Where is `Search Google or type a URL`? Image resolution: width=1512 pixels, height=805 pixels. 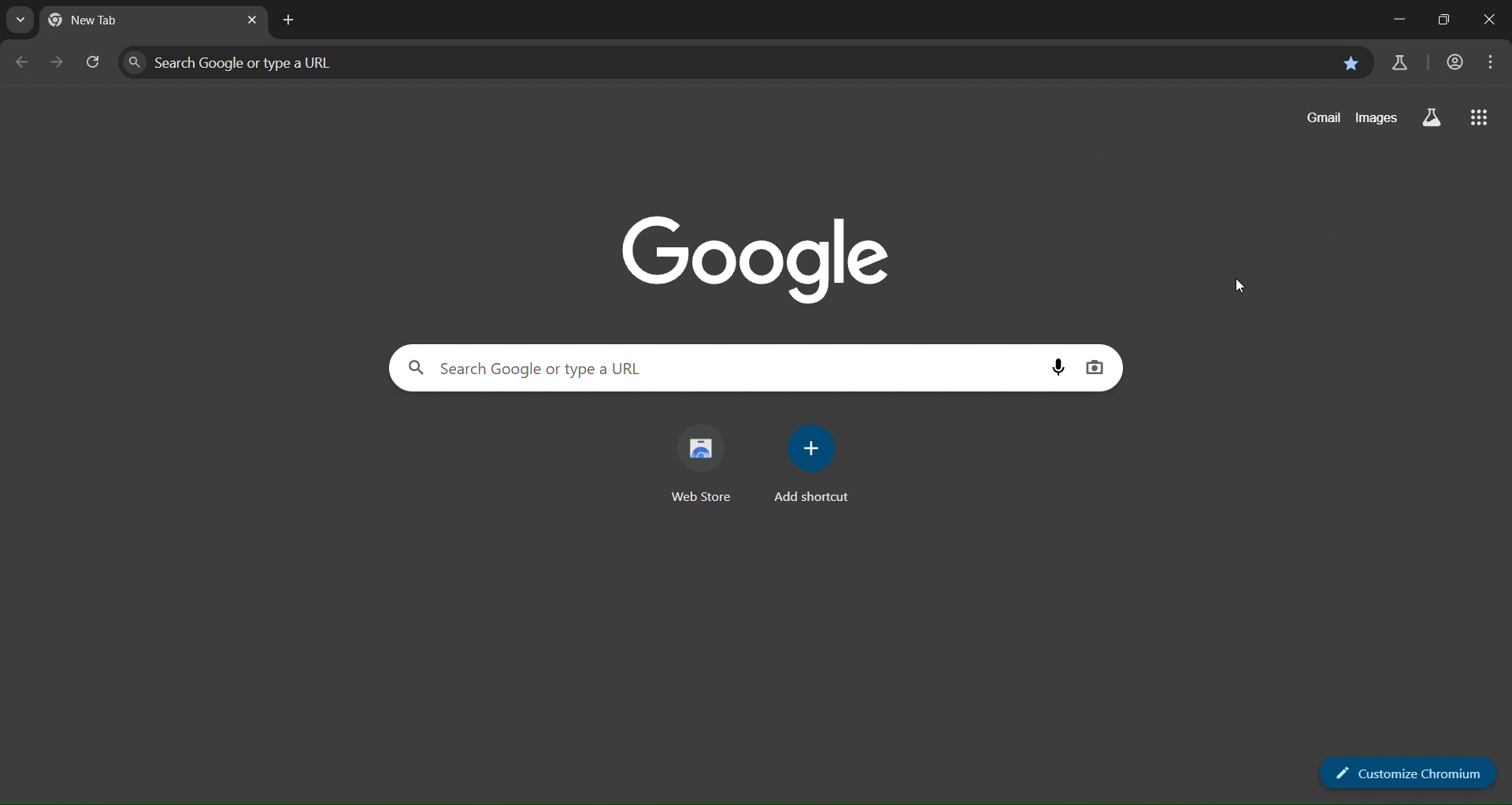 Search Google or type a URL is located at coordinates (717, 368).